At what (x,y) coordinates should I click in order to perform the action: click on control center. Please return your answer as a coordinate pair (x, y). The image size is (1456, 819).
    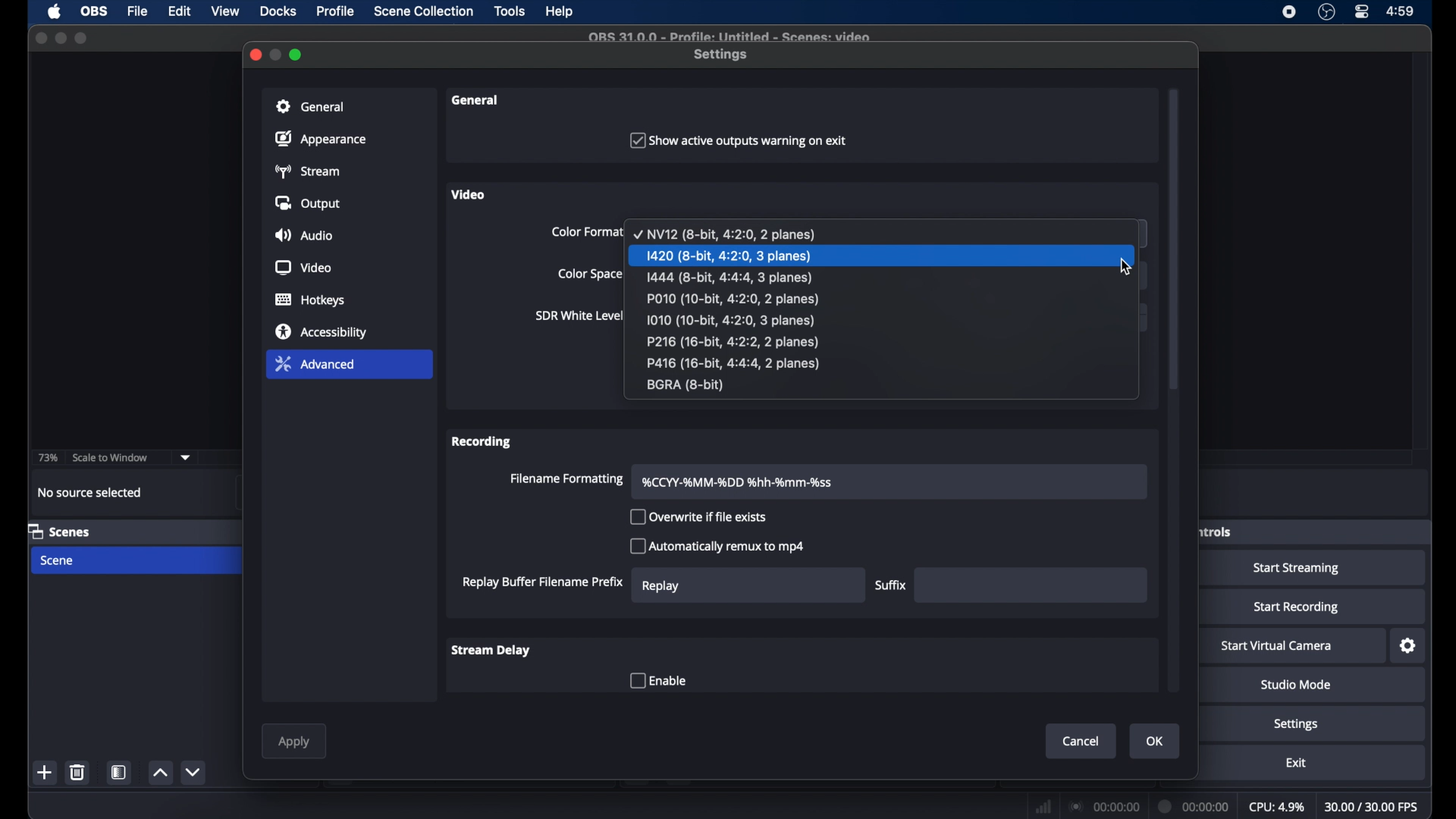
    Looking at the image, I should click on (1360, 11).